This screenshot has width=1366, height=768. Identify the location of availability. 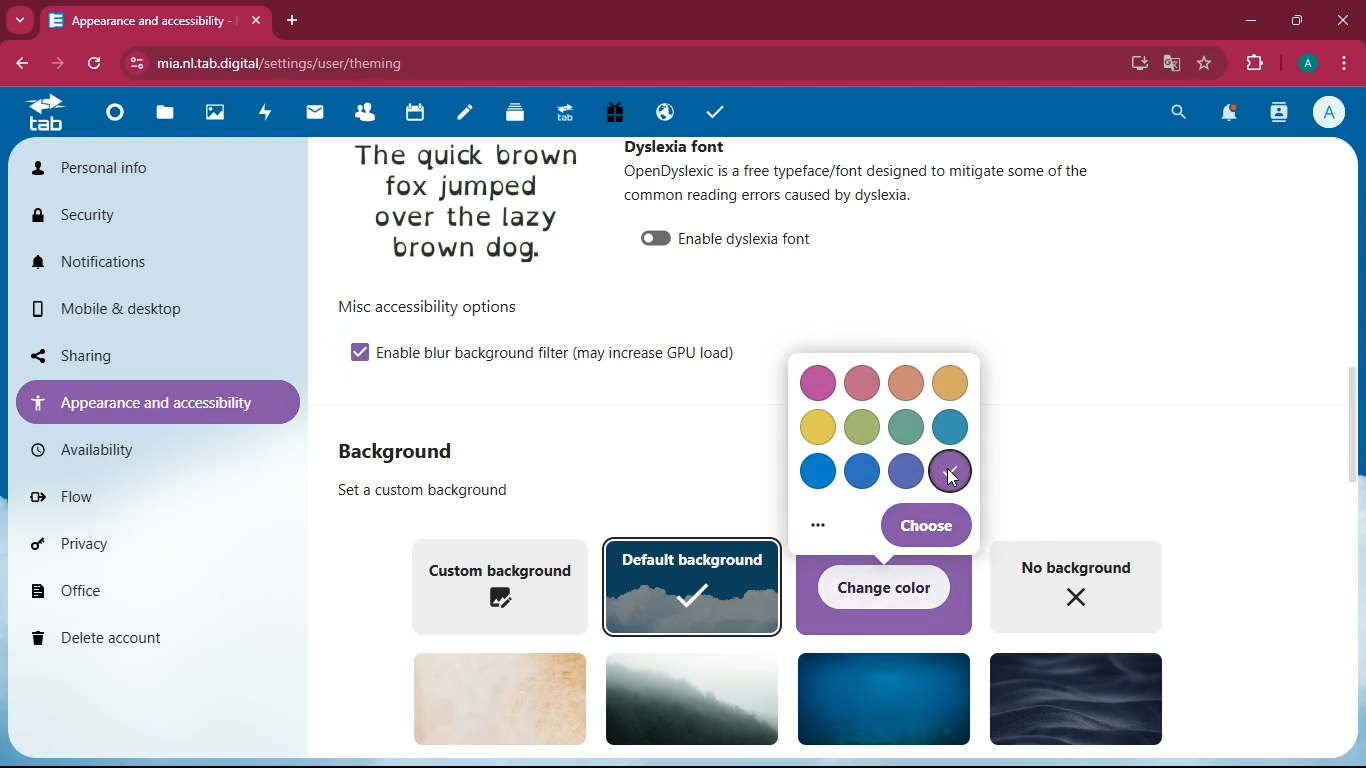
(106, 450).